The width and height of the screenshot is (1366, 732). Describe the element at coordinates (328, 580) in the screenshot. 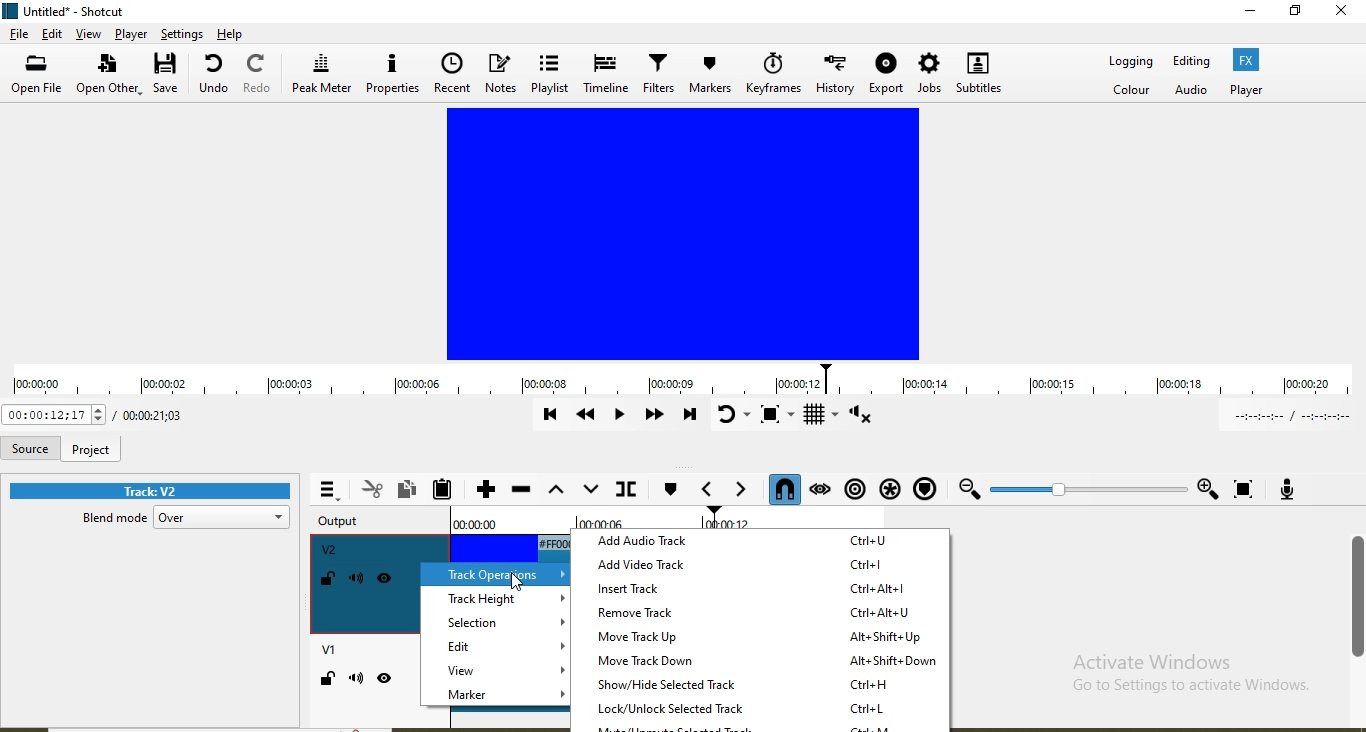

I see `Lock` at that location.